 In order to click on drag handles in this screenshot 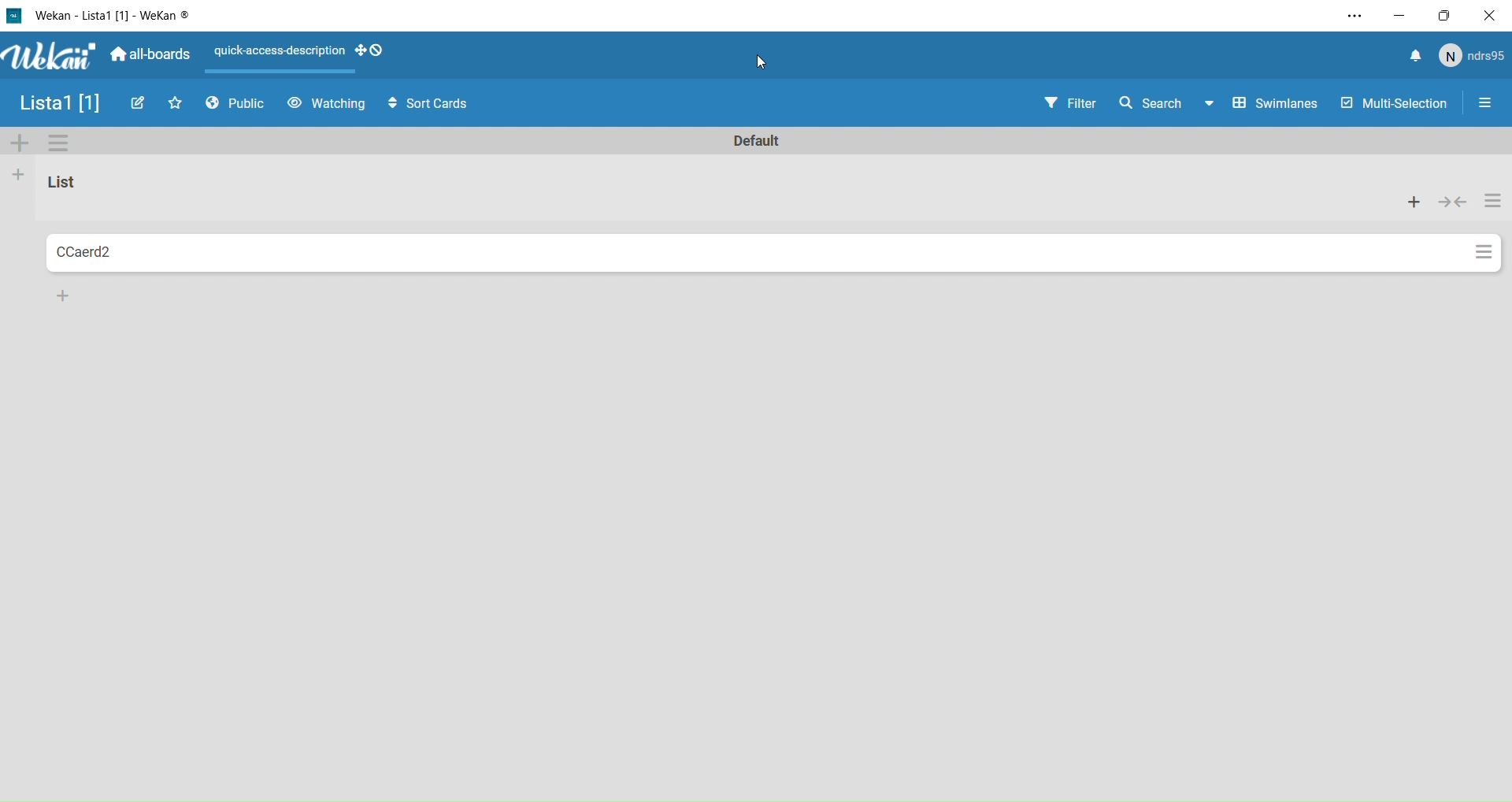, I will do `click(378, 52)`.